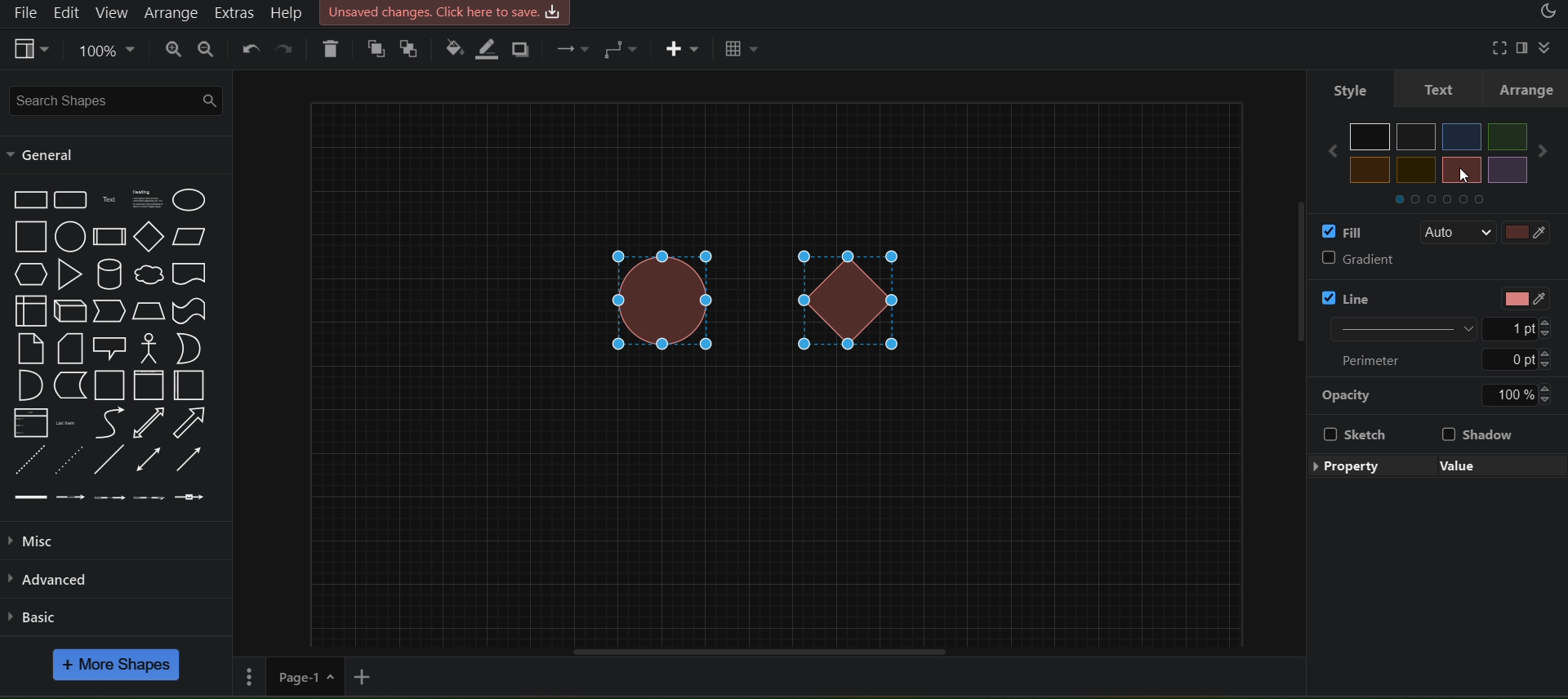 The width and height of the screenshot is (1568, 699). Describe the element at coordinates (1545, 11) in the screenshot. I see `appearance` at that location.